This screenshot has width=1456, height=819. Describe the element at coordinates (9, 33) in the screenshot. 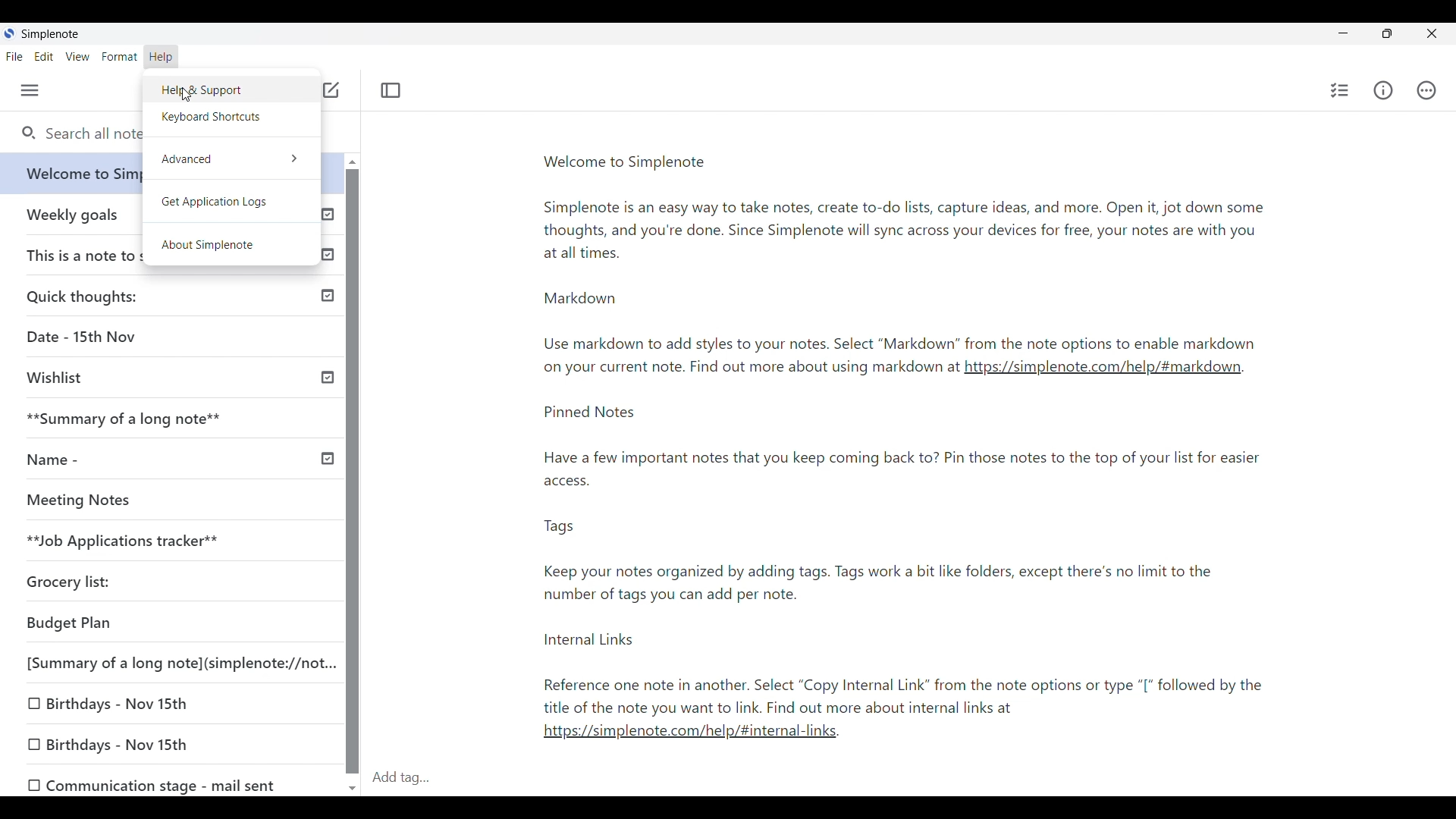

I see `Software logo` at that location.